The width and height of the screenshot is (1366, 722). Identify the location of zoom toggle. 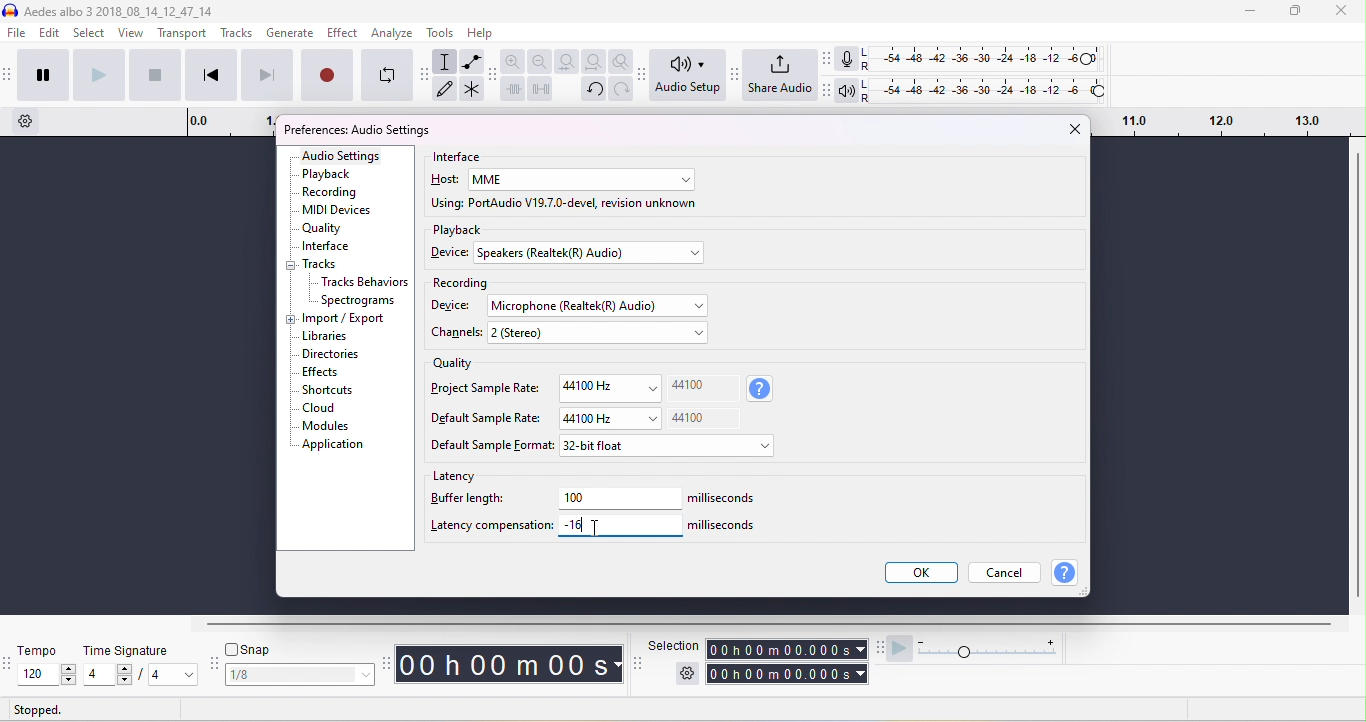
(622, 61).